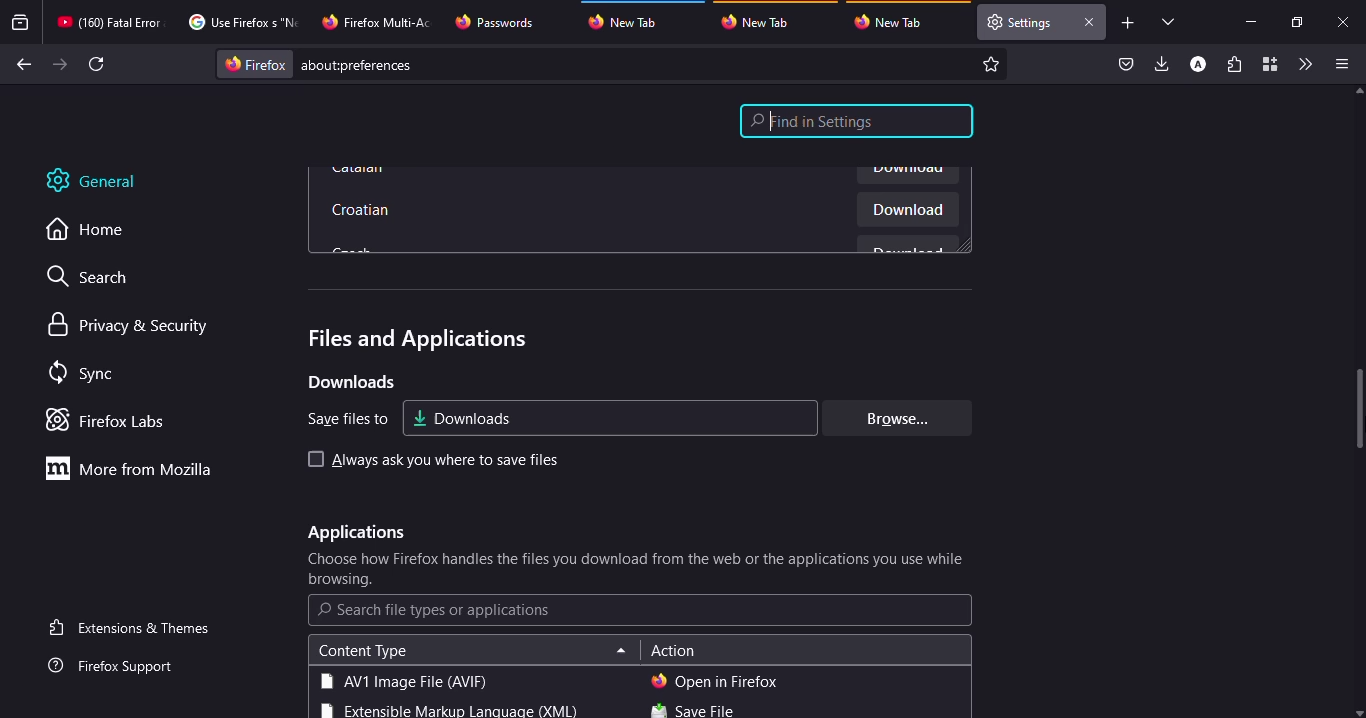  Describe the element at coordinates (1234, 66) in the screenshot. I see `extensions` at that location.